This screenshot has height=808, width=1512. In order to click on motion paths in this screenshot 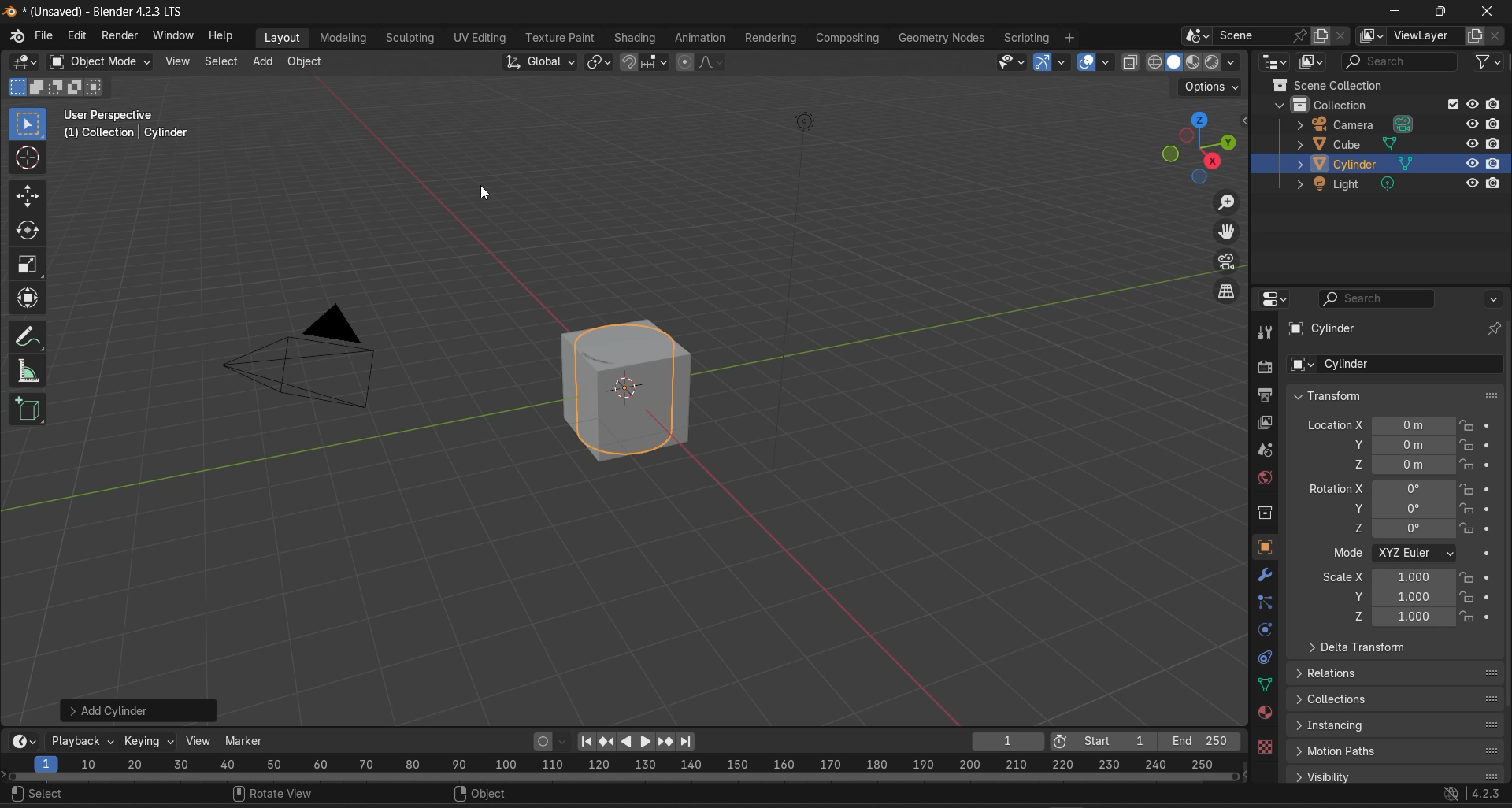, I will do `click(1398, 751)`.